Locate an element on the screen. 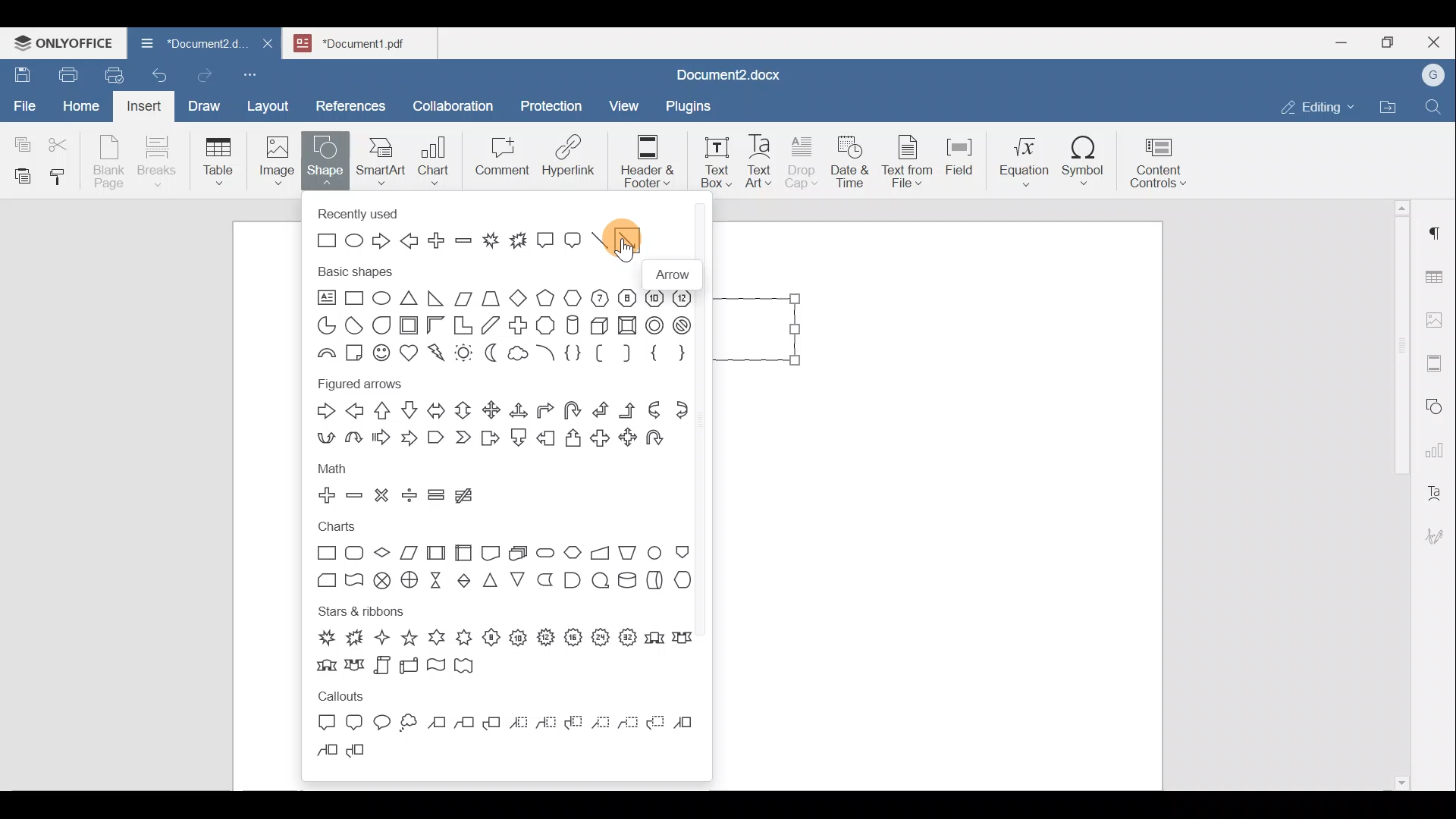 This screenshot has width=1456, height=819. Open file location is located at coordinates (1392, 108).